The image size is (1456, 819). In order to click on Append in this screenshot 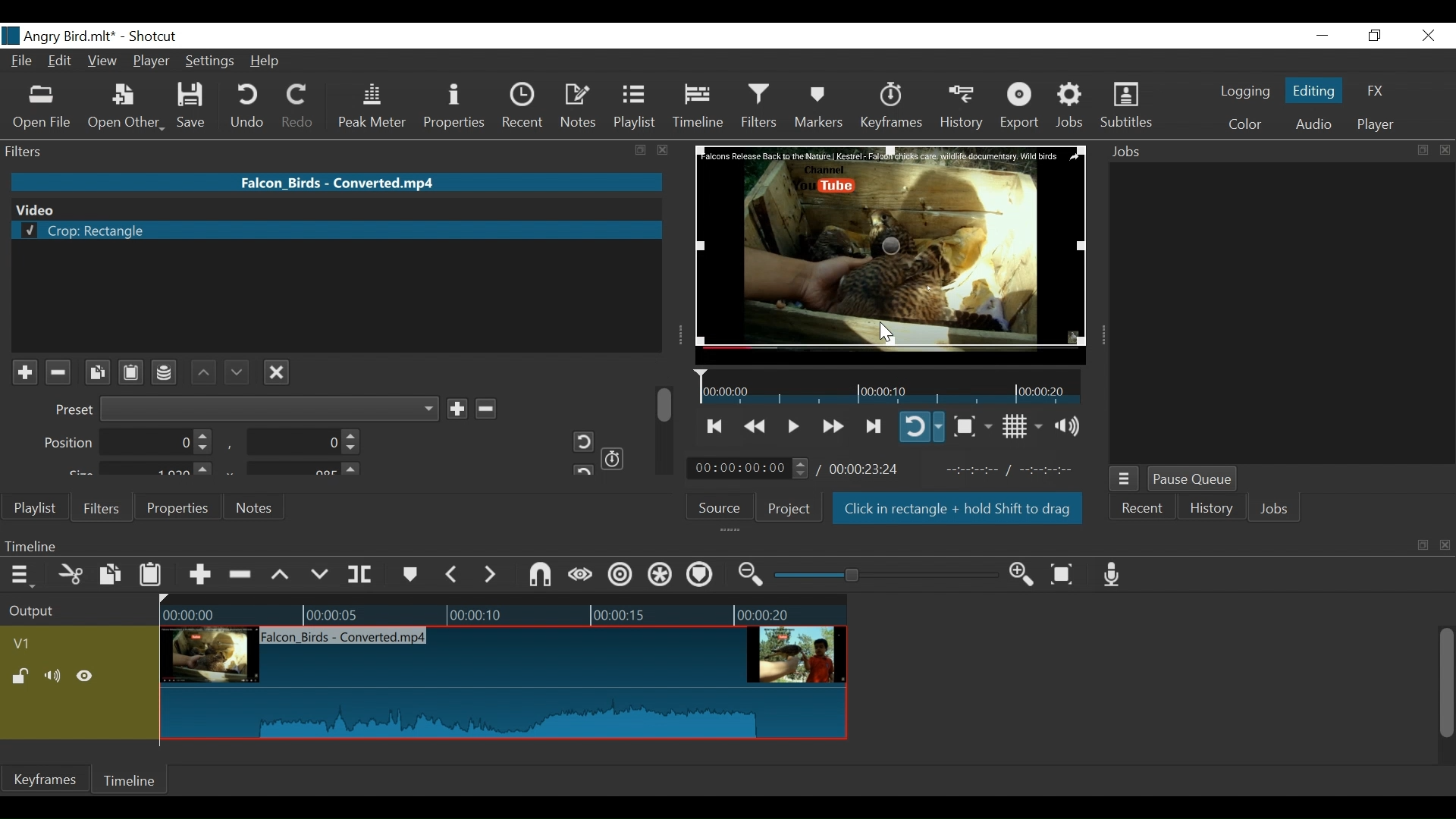, I will do `click(199, 577)`.